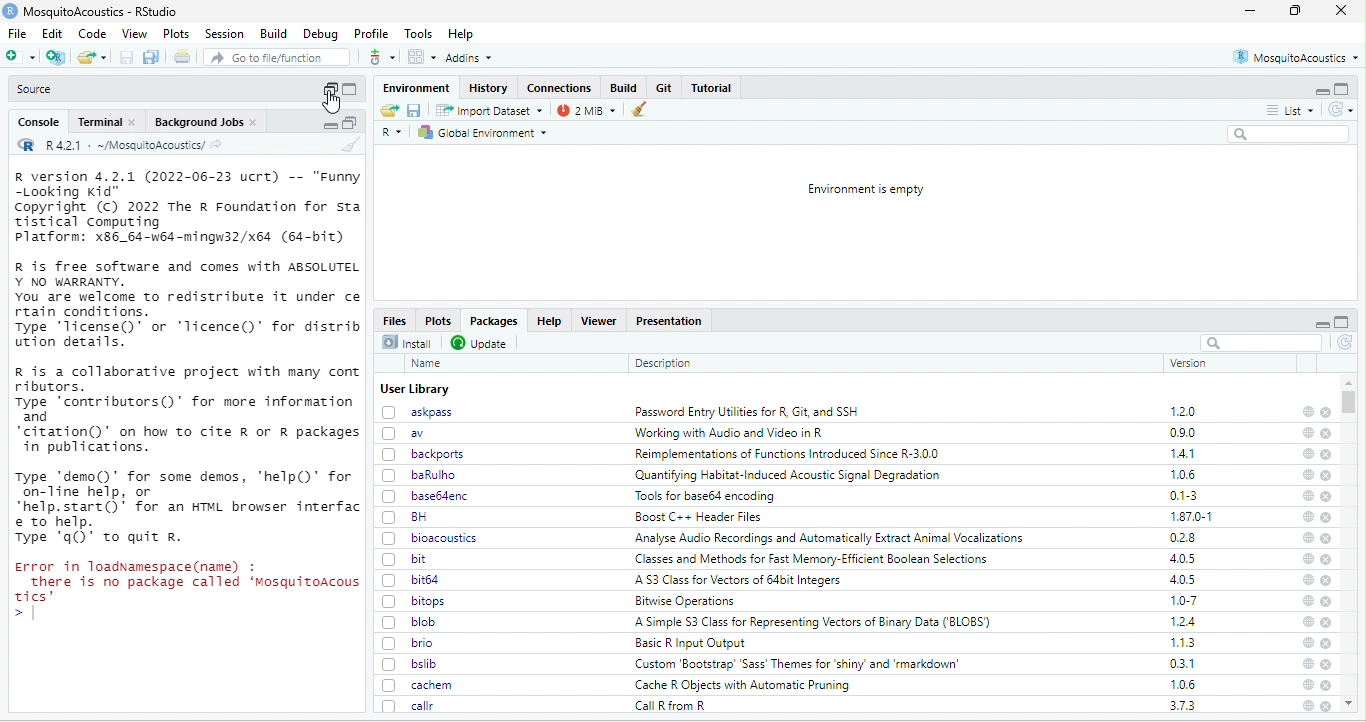 Image resolution: width=1366 pixels, height=722 pixels. Describe the element at coordinates (1326, 475) in the screenshot. I see `close` at that location.